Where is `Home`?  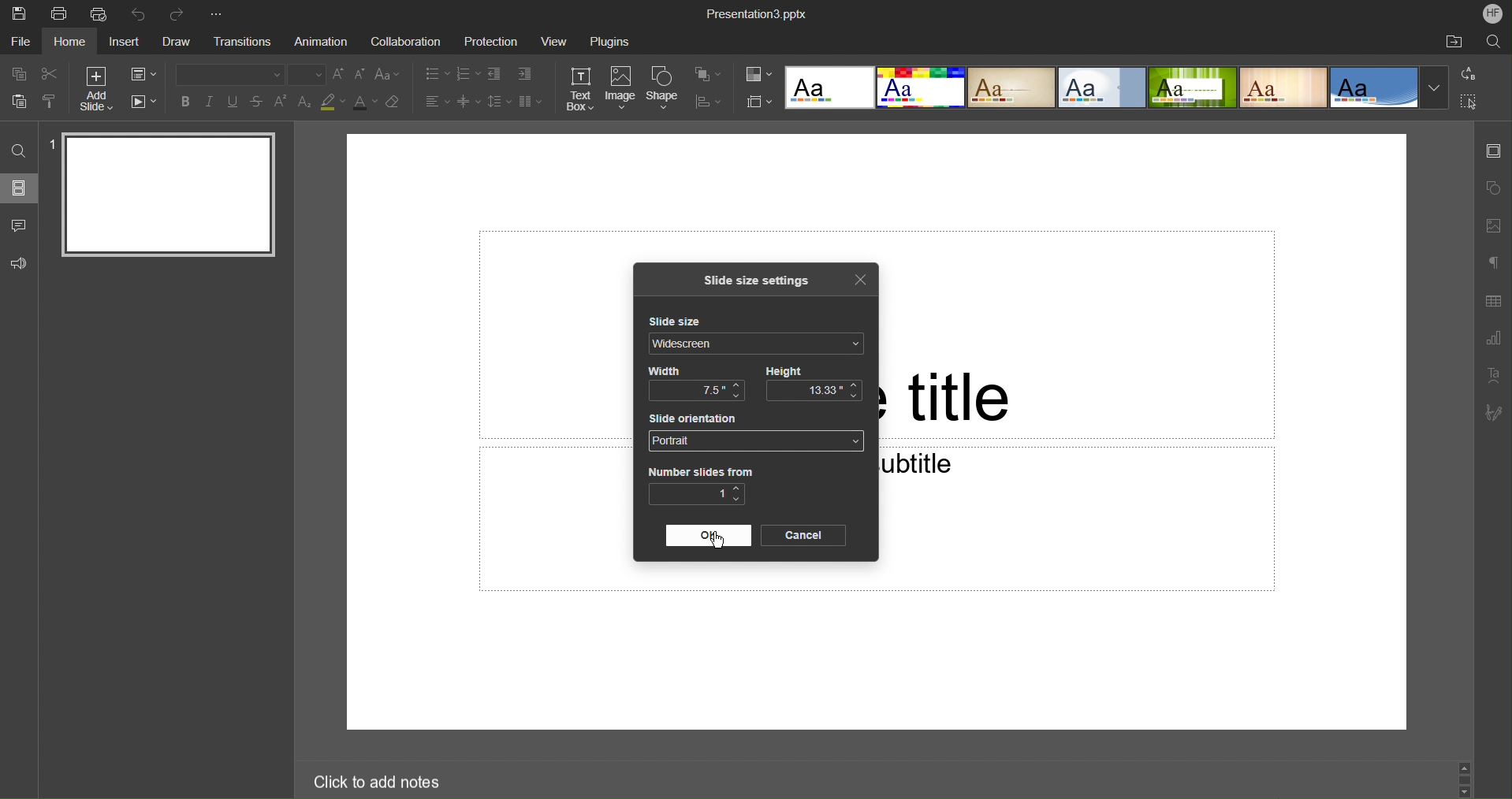
Home is located at coordinates (71, 43).